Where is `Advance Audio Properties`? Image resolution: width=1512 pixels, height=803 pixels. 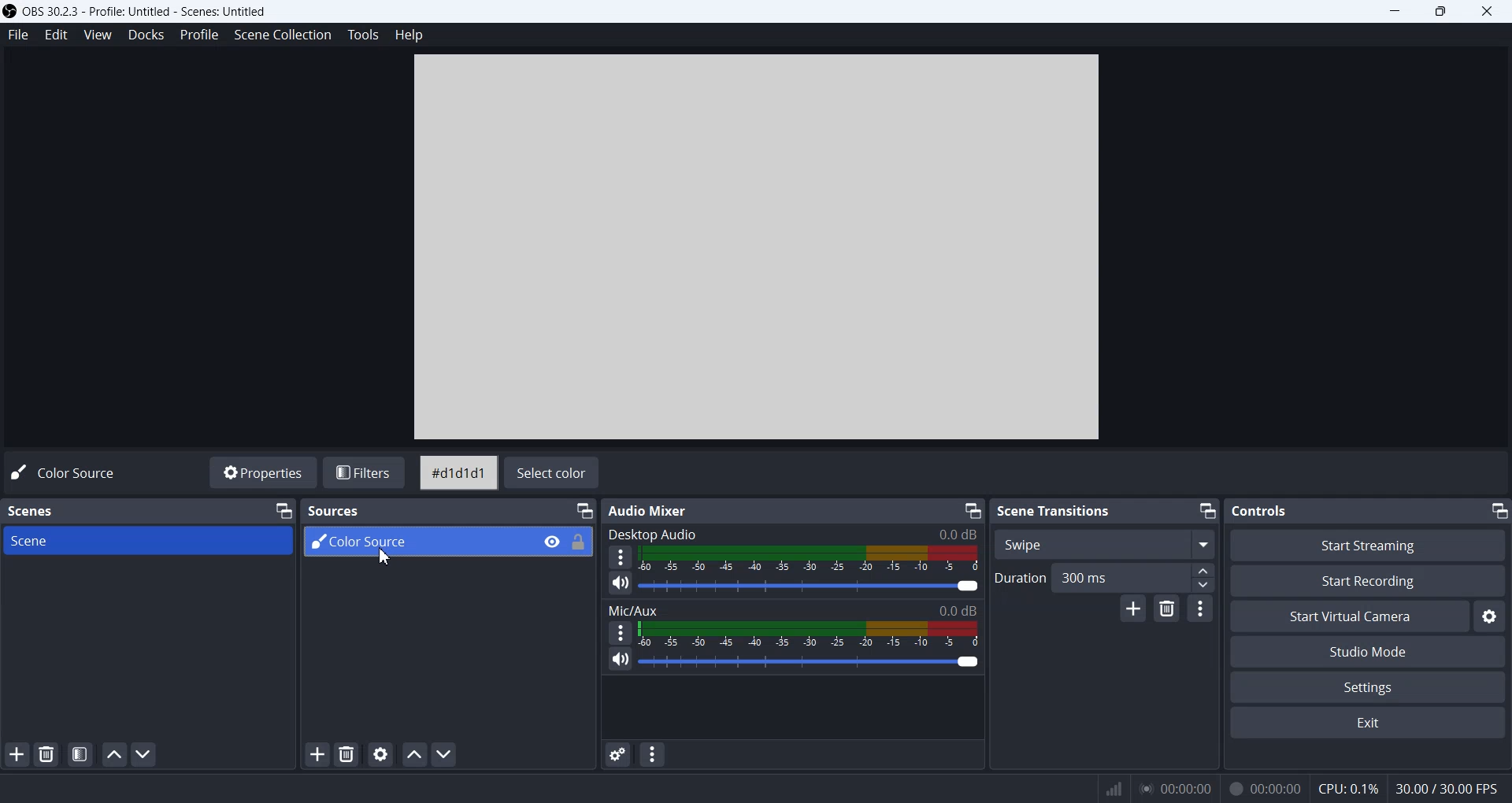
Advance Audio Properties is located at coordinates (617, 754).